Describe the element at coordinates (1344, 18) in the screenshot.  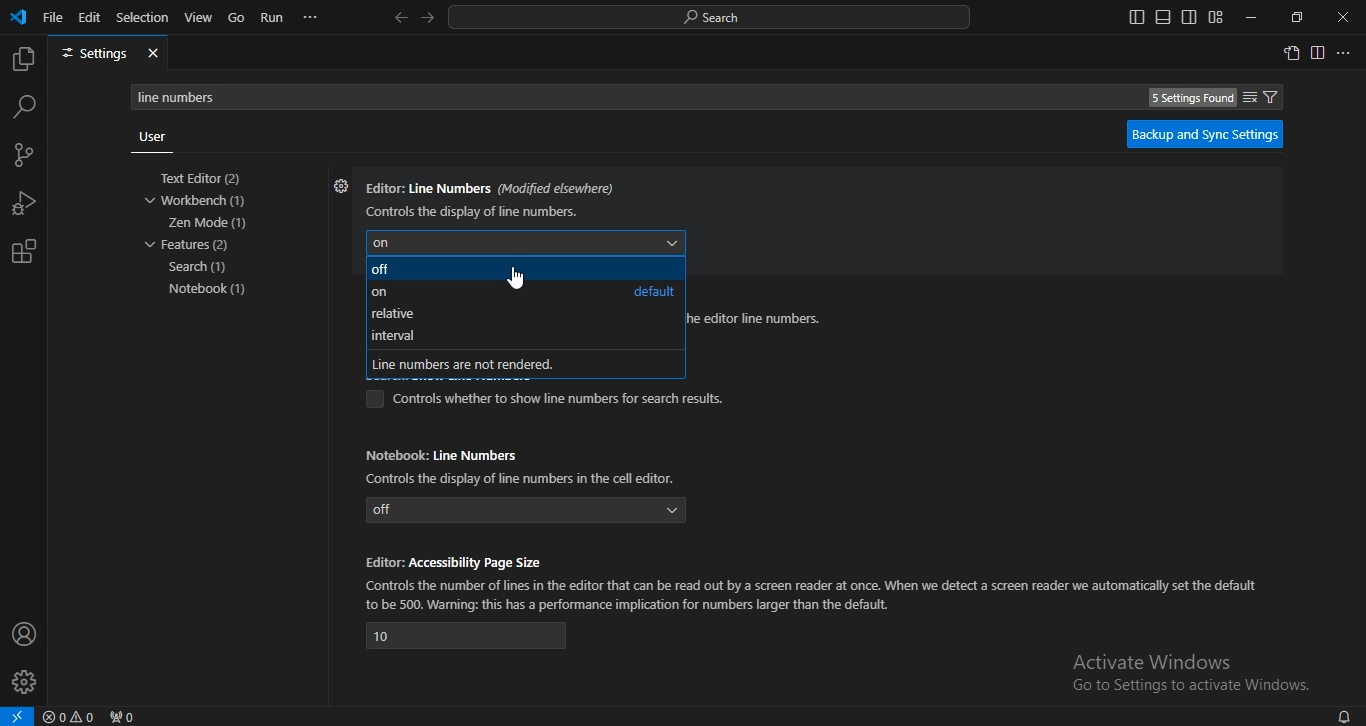
I see `close` at that location.